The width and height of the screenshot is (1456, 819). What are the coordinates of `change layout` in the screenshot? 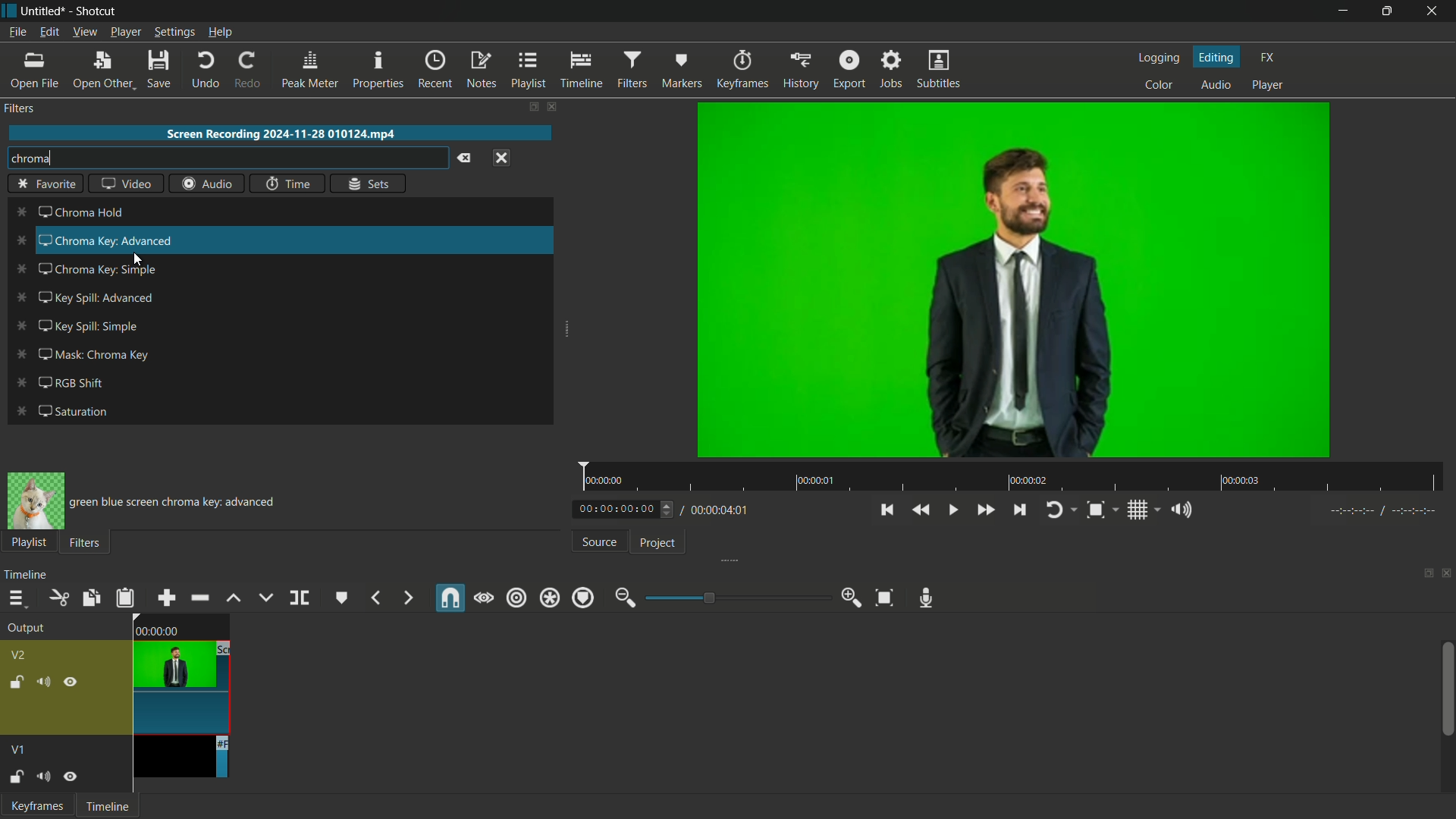 It's located at (1426, 573).